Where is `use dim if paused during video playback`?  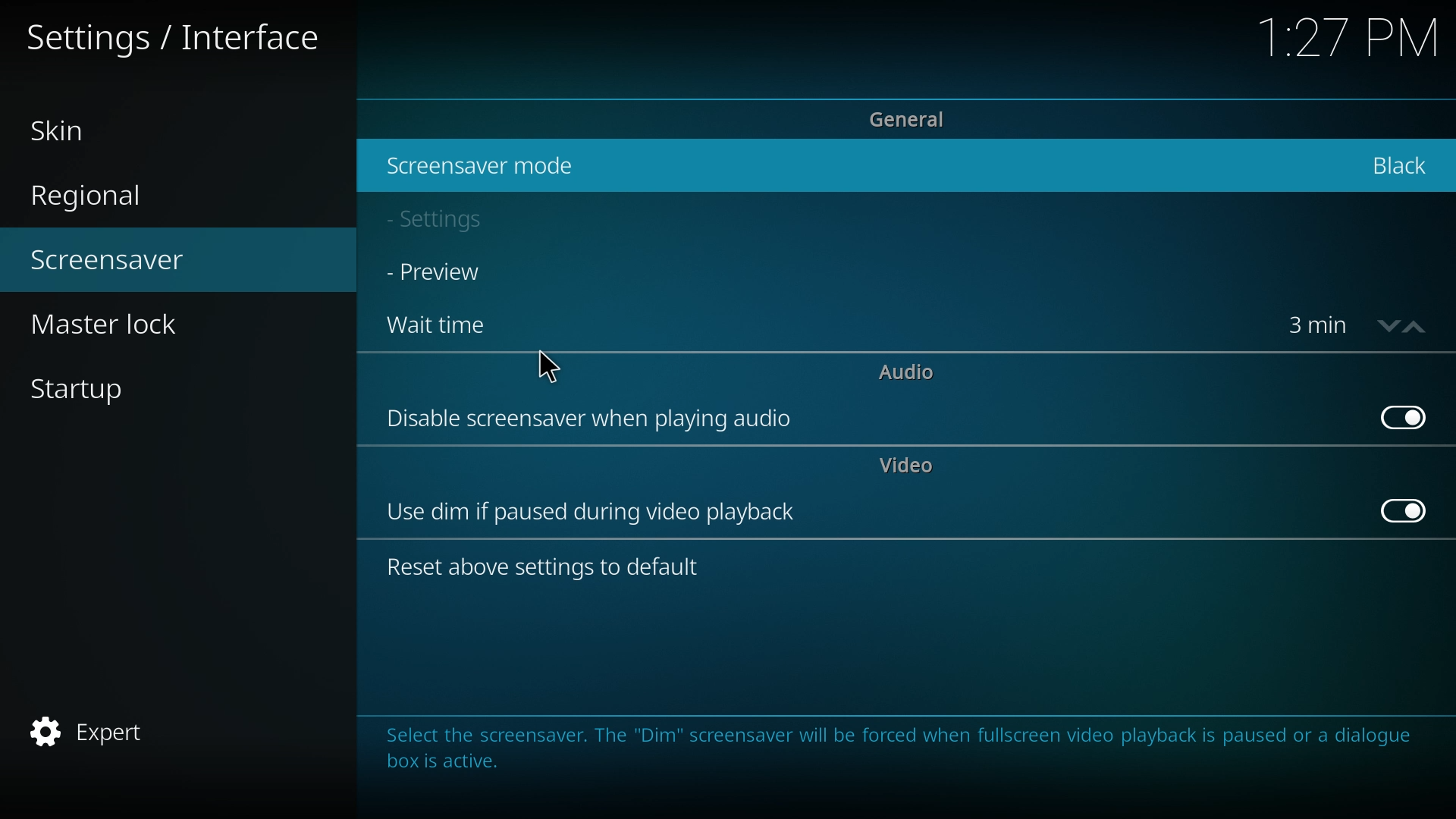 use dim if paused during video playback is located at coordinates (594, 511).